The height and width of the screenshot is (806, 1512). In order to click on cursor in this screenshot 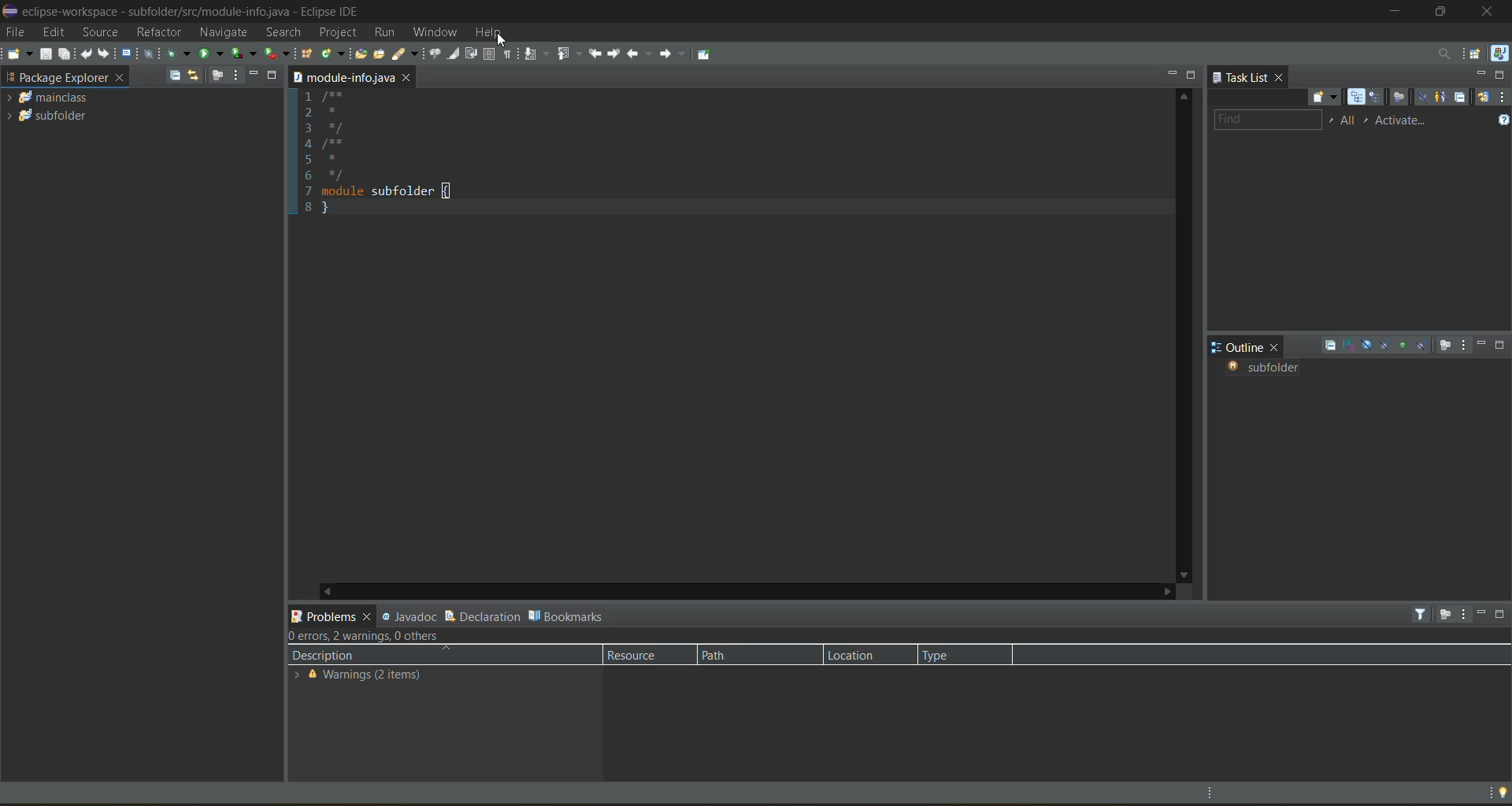, I will do `click(500, 38)`.